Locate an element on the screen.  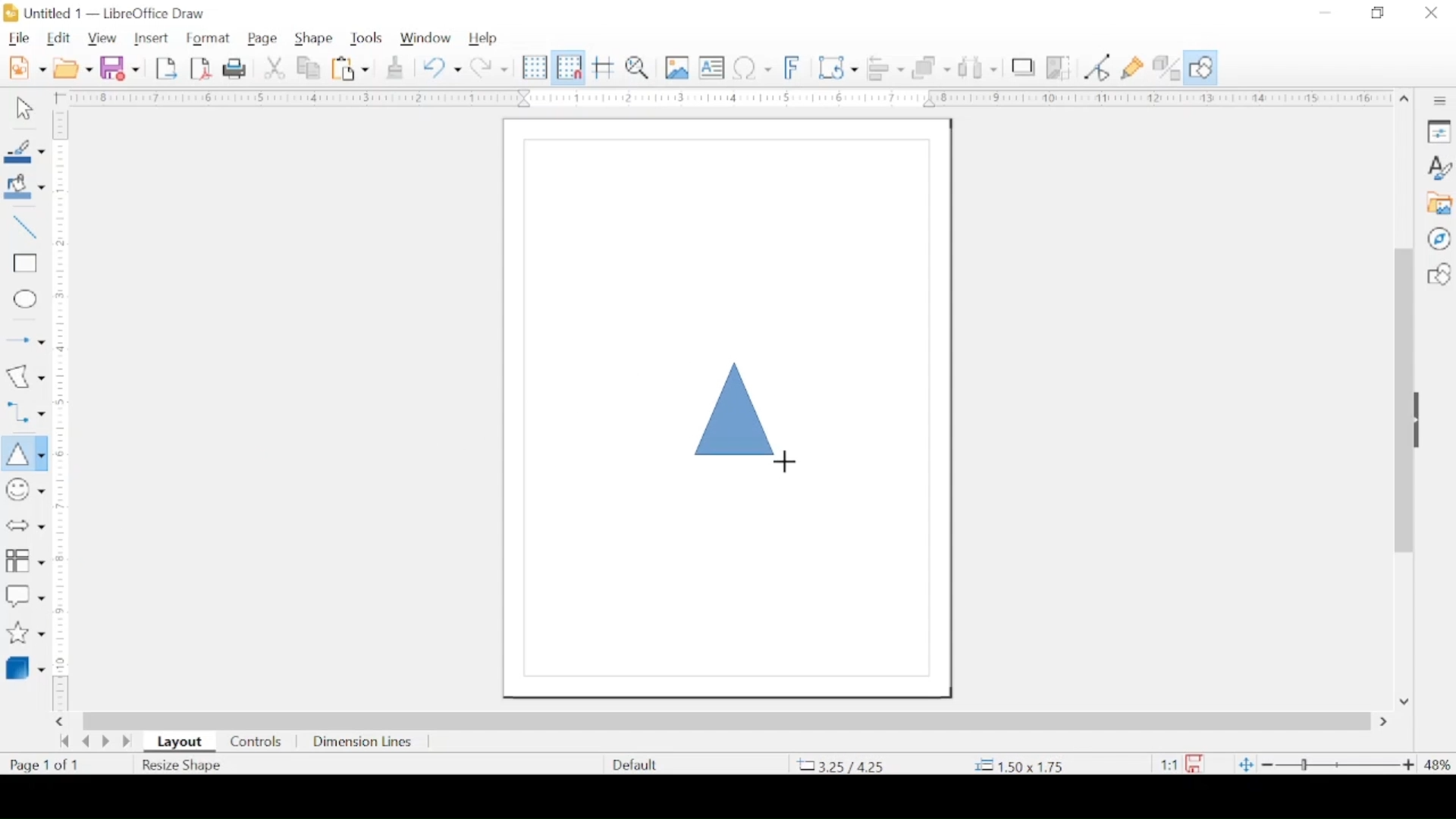
zoom level is located at coordinates (1438, 764).